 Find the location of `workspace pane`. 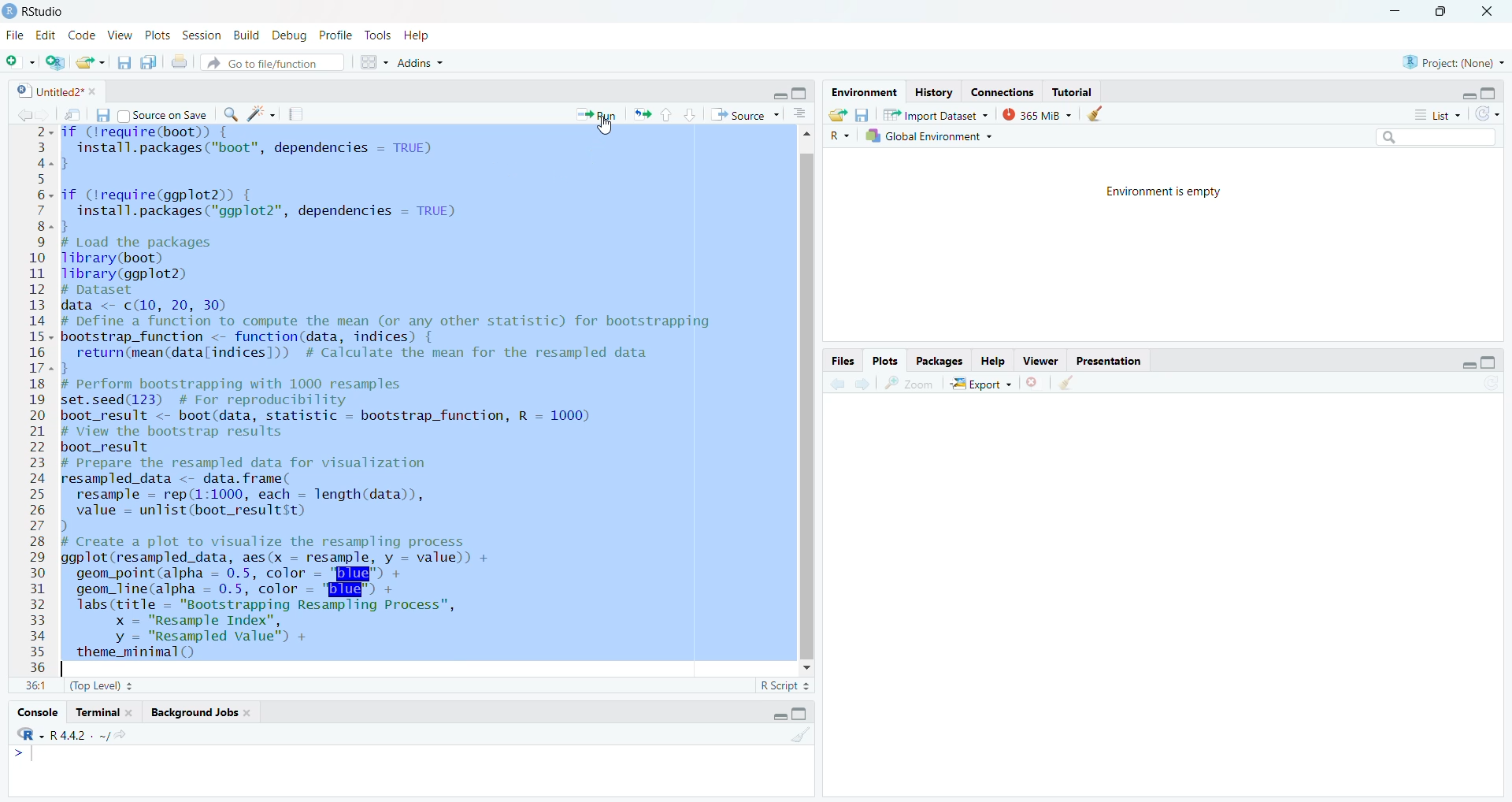

workspace pane is located at coordinates (375, 60).